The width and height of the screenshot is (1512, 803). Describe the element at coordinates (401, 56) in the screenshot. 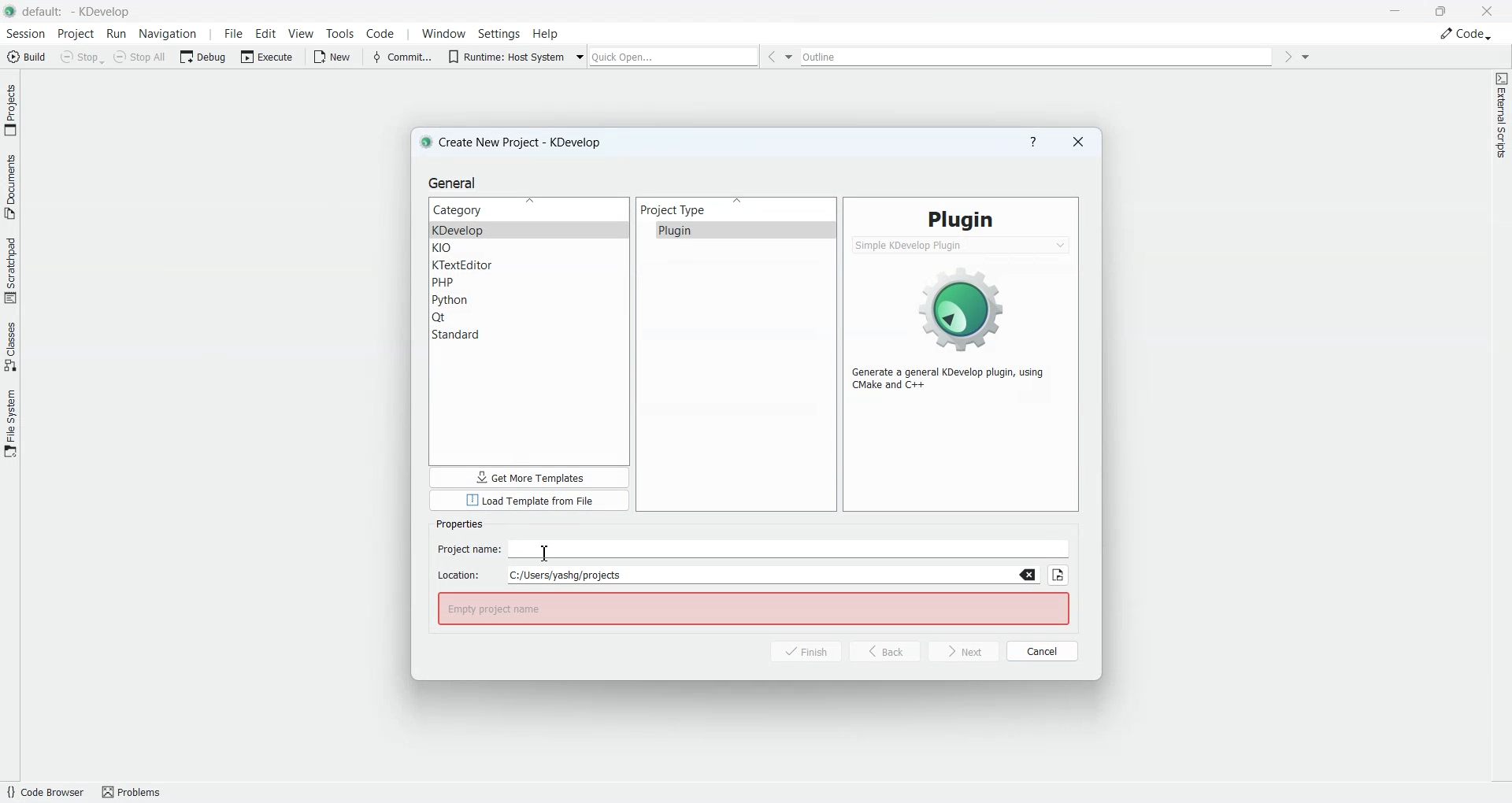

I see `Commit` at that location.